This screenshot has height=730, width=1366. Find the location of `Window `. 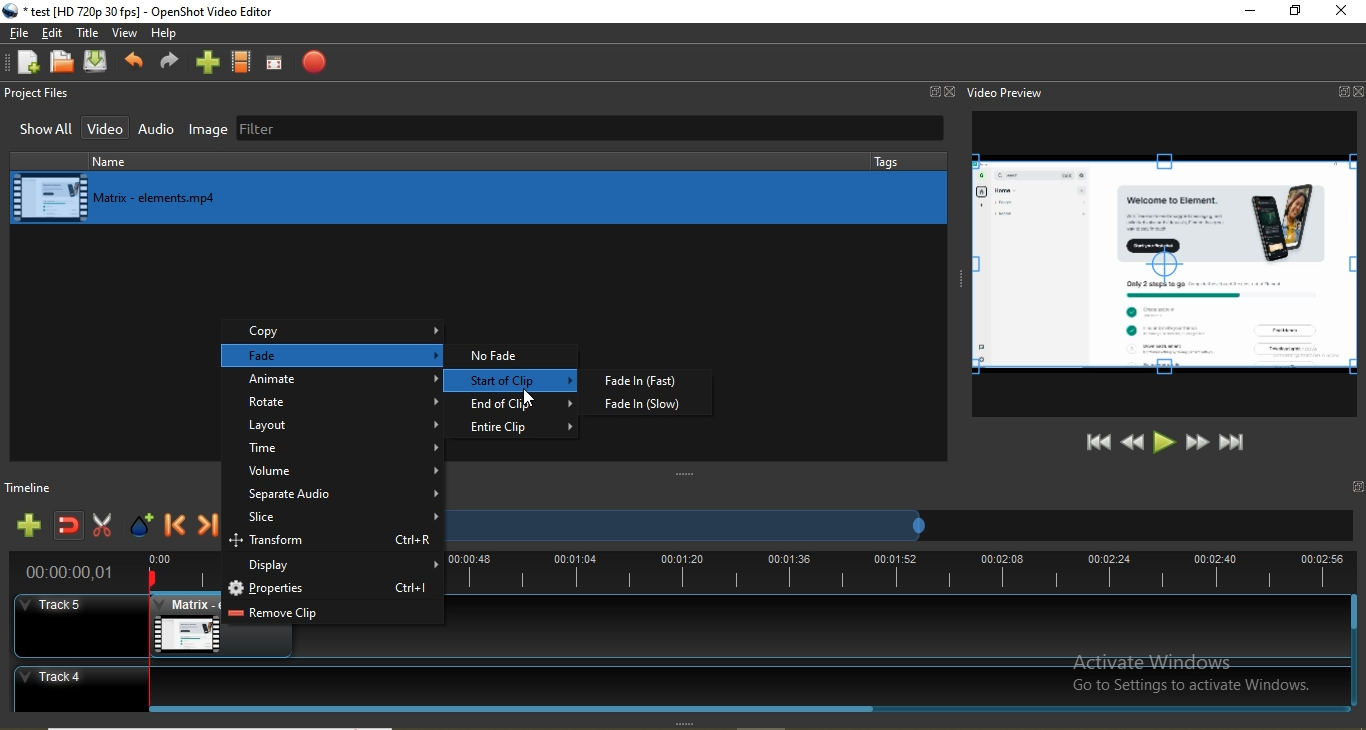

Window  is located at coordinates (1342, 92).